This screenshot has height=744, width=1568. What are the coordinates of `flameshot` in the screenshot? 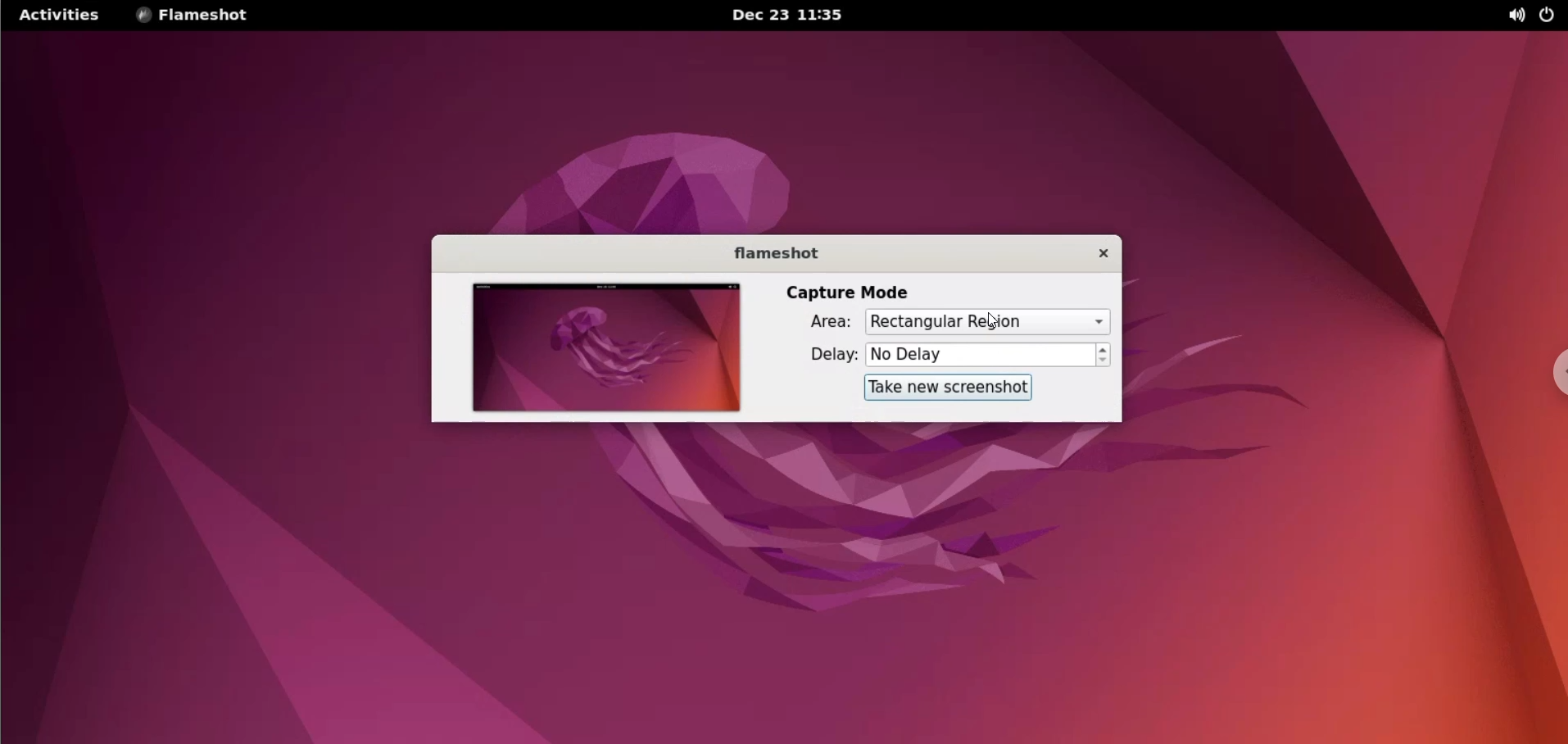 It's located at (776, 252).